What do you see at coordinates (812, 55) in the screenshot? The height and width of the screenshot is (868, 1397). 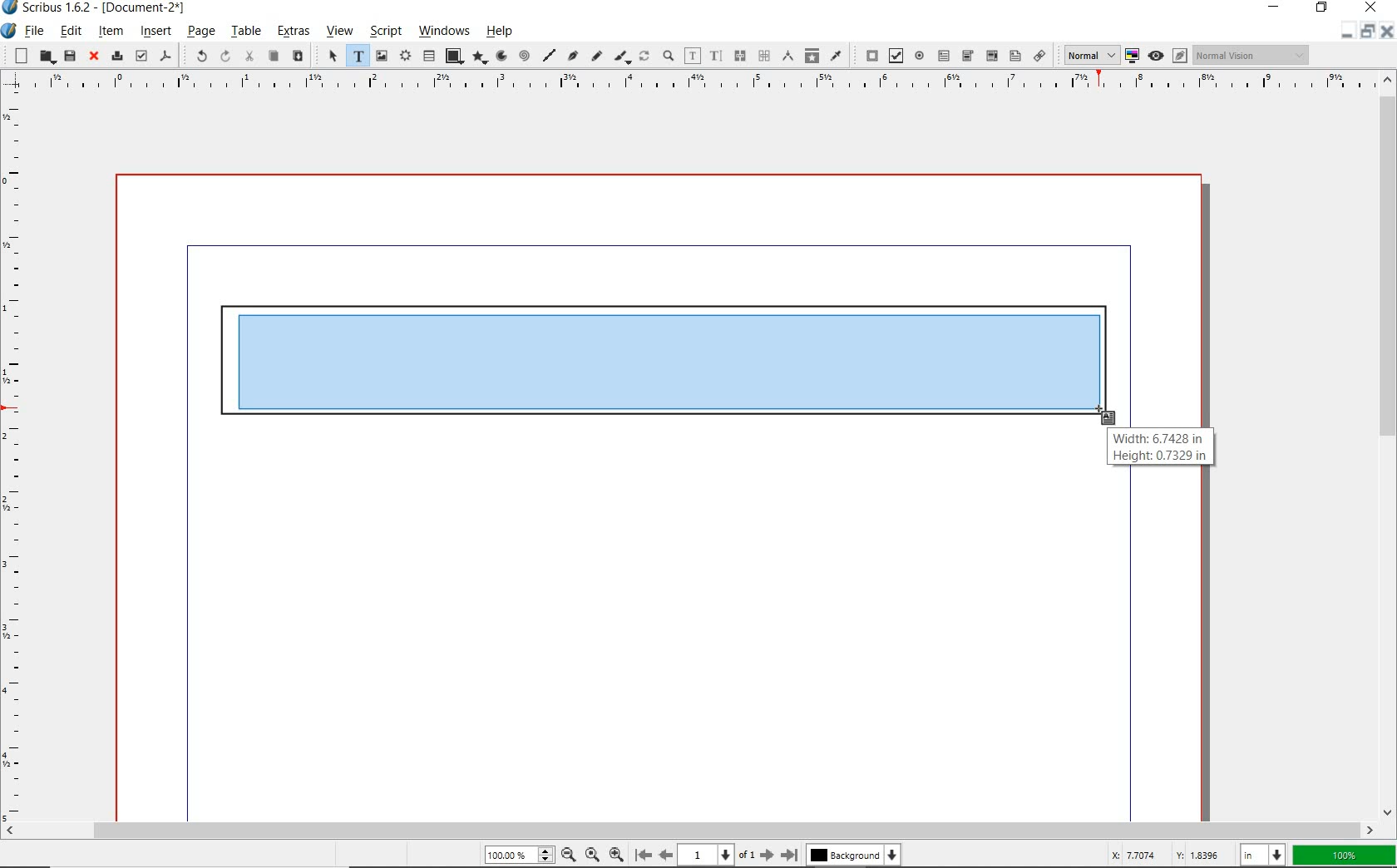 I see `copy item properties` at bounding box center [812, 55].